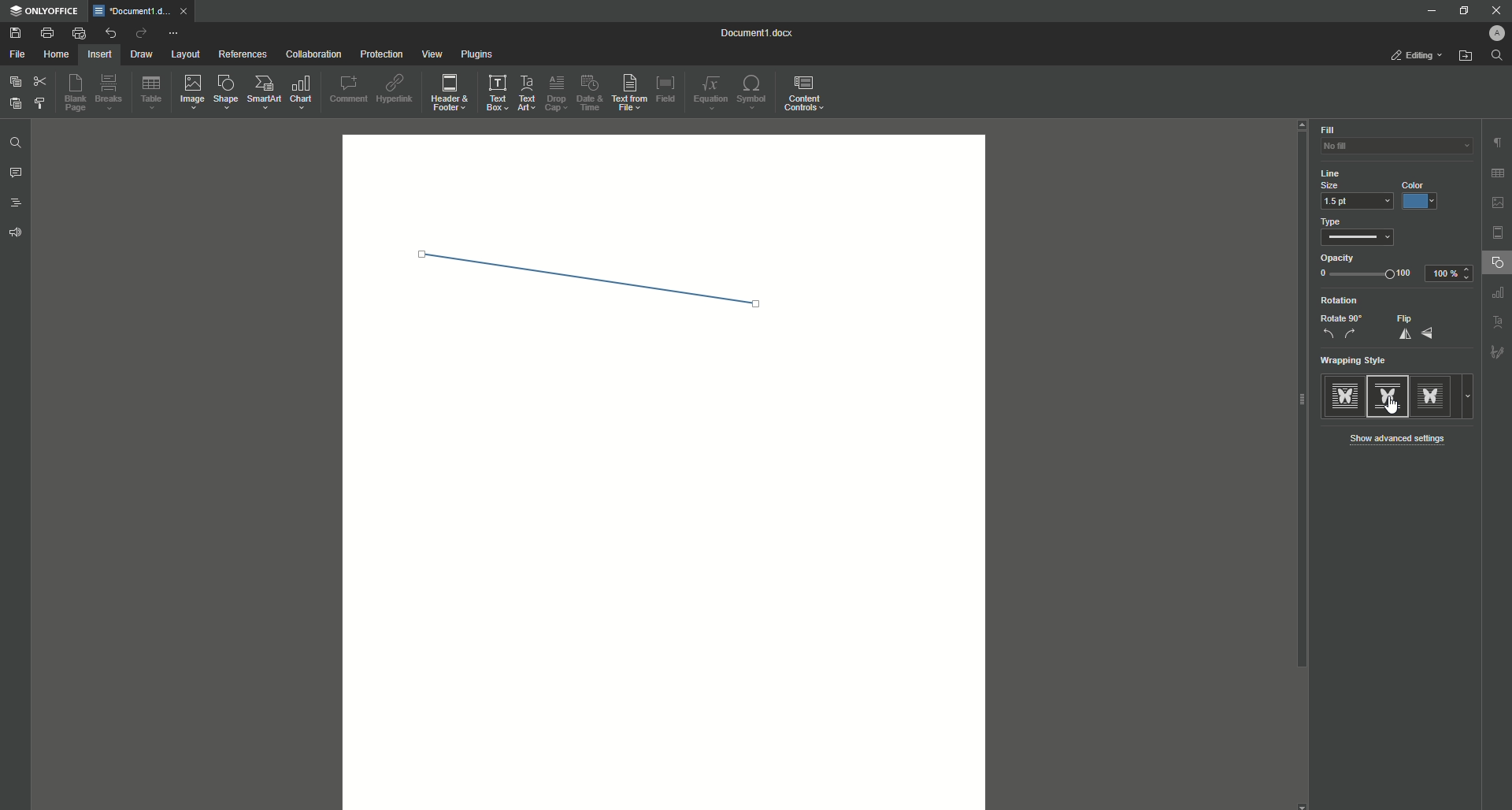 The image size is (1512, 810). I want to click on tab 1, so click(145, 11).